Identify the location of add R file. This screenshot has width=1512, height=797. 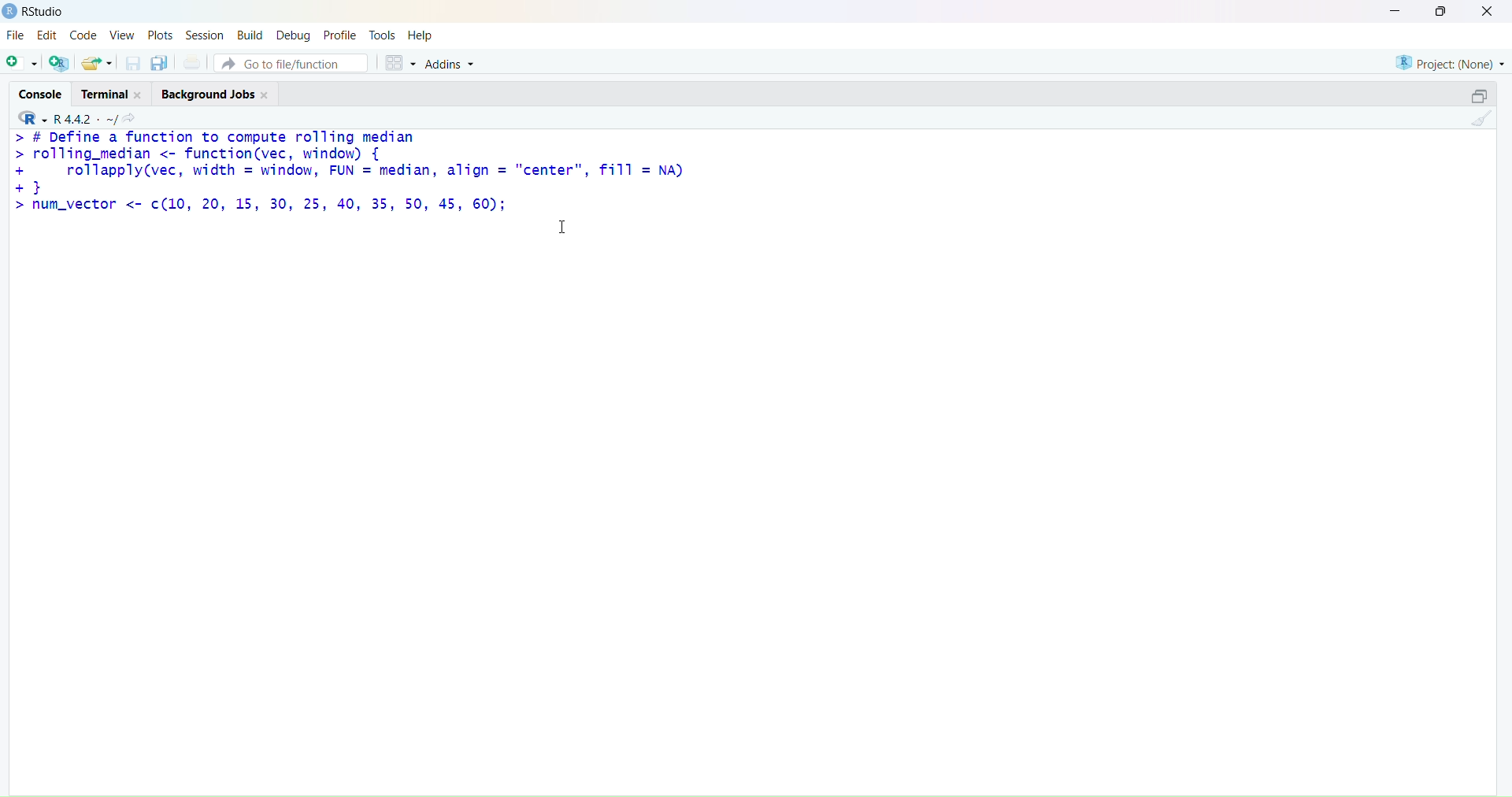
(60, 64).